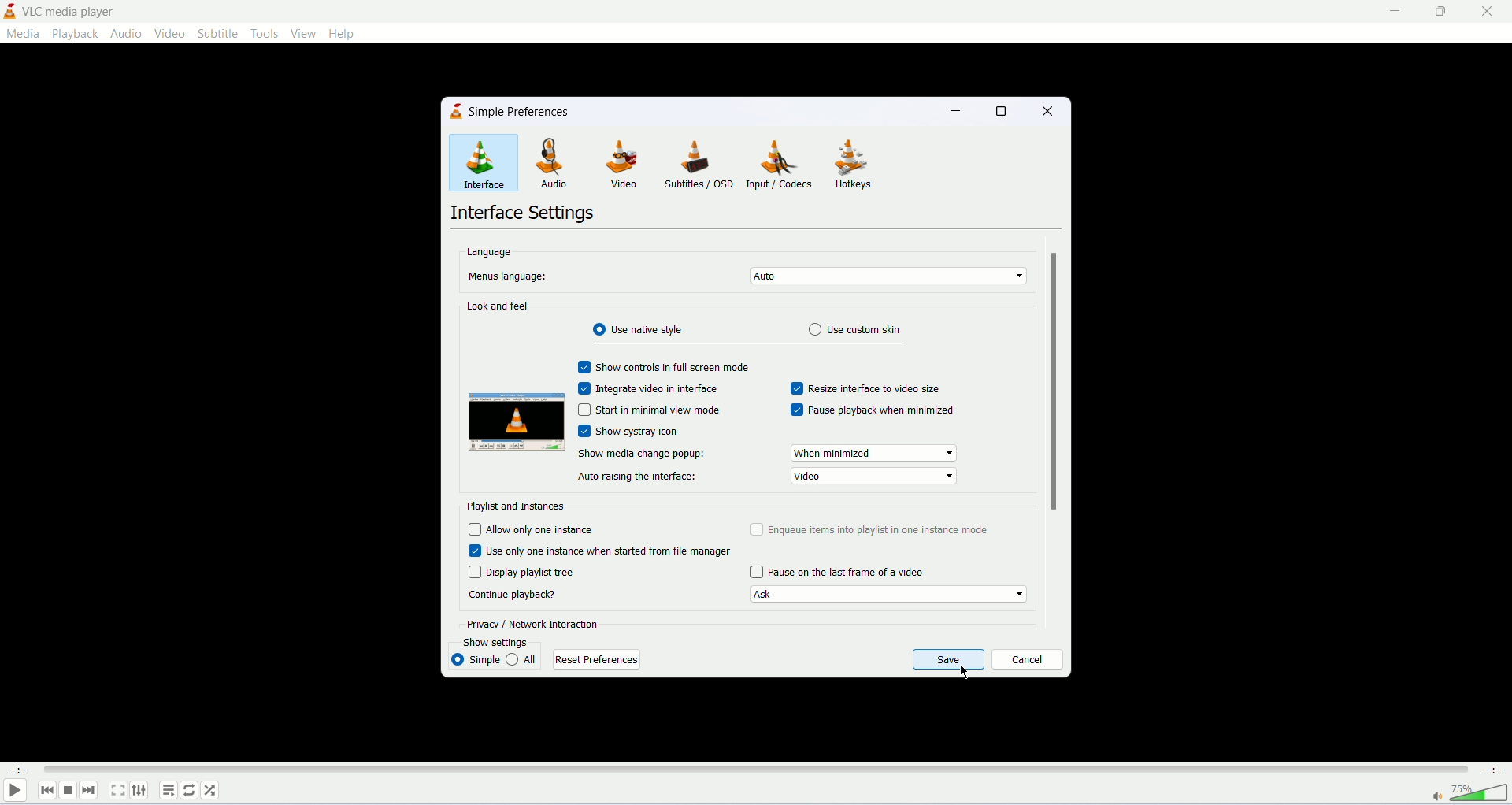 Image resolution: width=1512 pixels, height=805 pixels. I want to click on ask, so click(888, 595).